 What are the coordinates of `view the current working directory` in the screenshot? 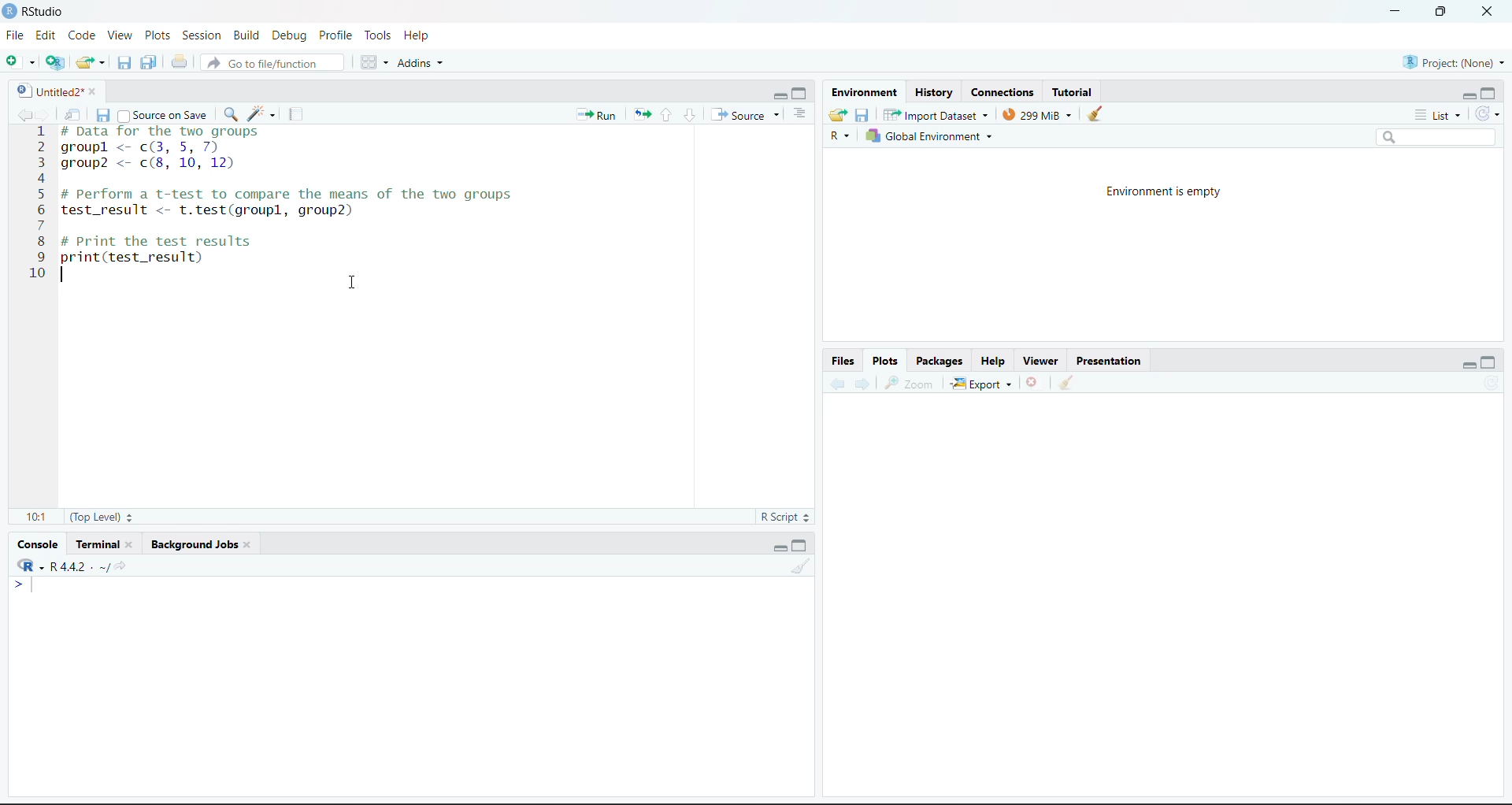 It's located at (122, 565).